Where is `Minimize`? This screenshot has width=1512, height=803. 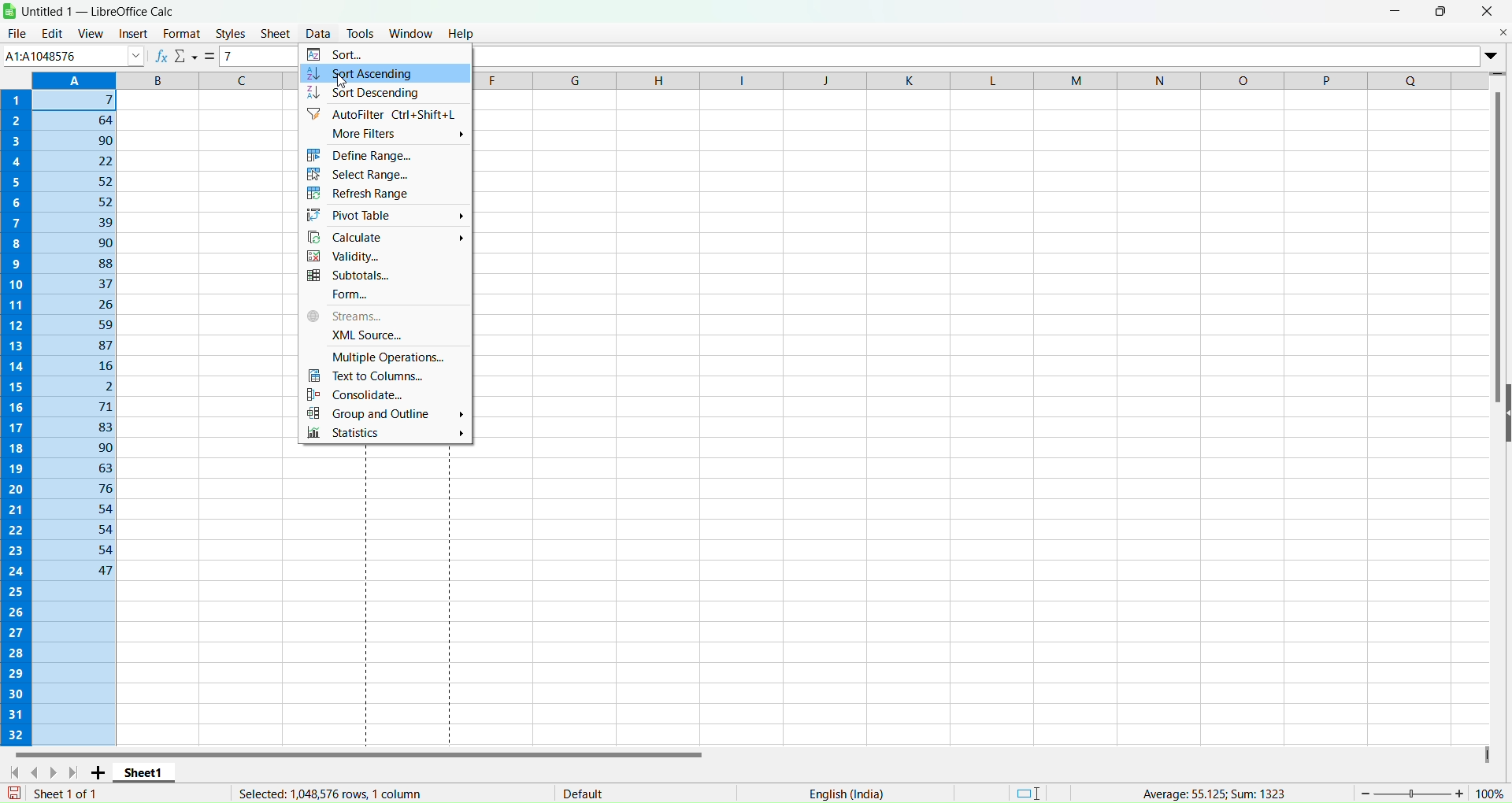 Minimize is located at coordinates (1396, 10).